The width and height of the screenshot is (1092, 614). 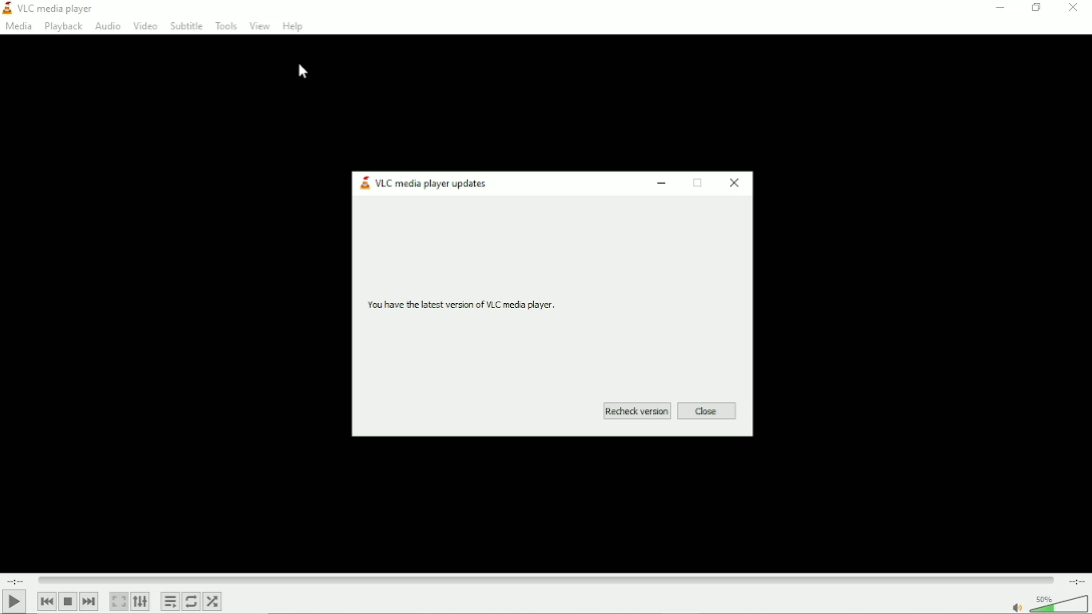 I want to click on Toggle playlist, so click(x=170, y=601).